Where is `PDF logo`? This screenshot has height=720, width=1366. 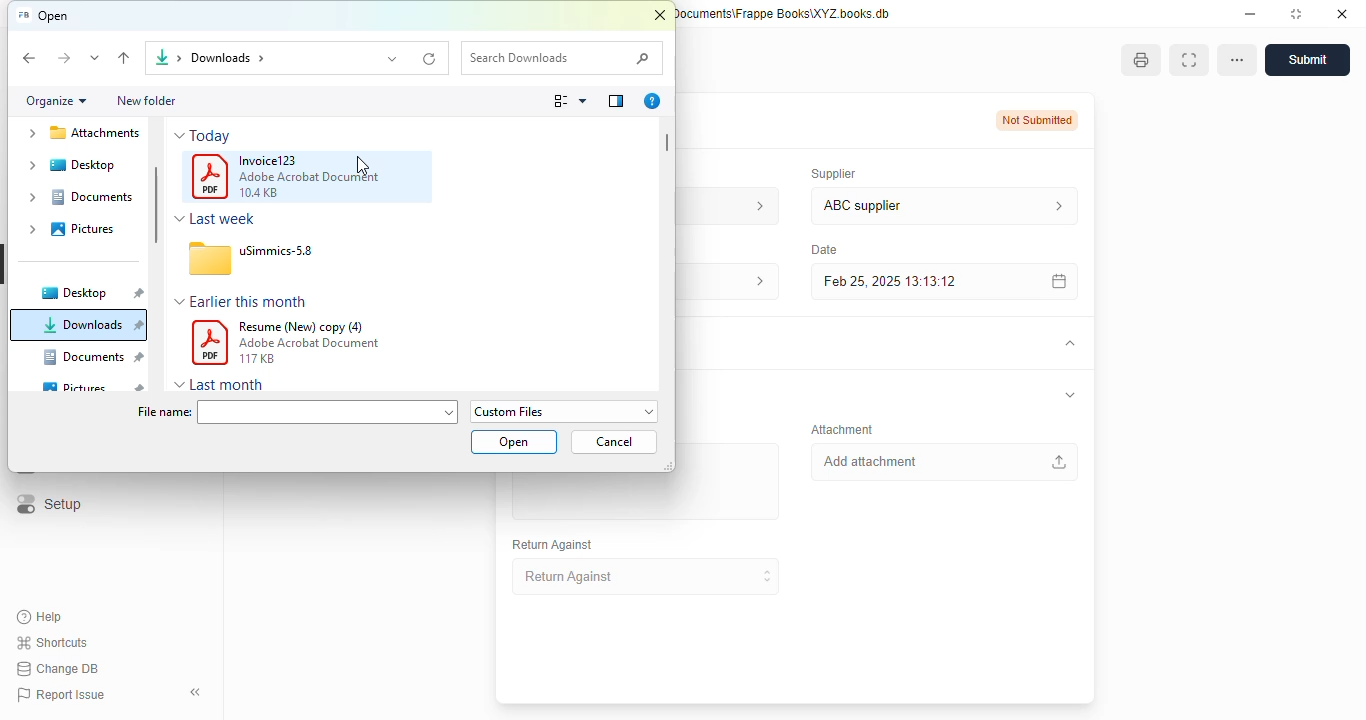 PDF logo is located at coordinates (210, 343).